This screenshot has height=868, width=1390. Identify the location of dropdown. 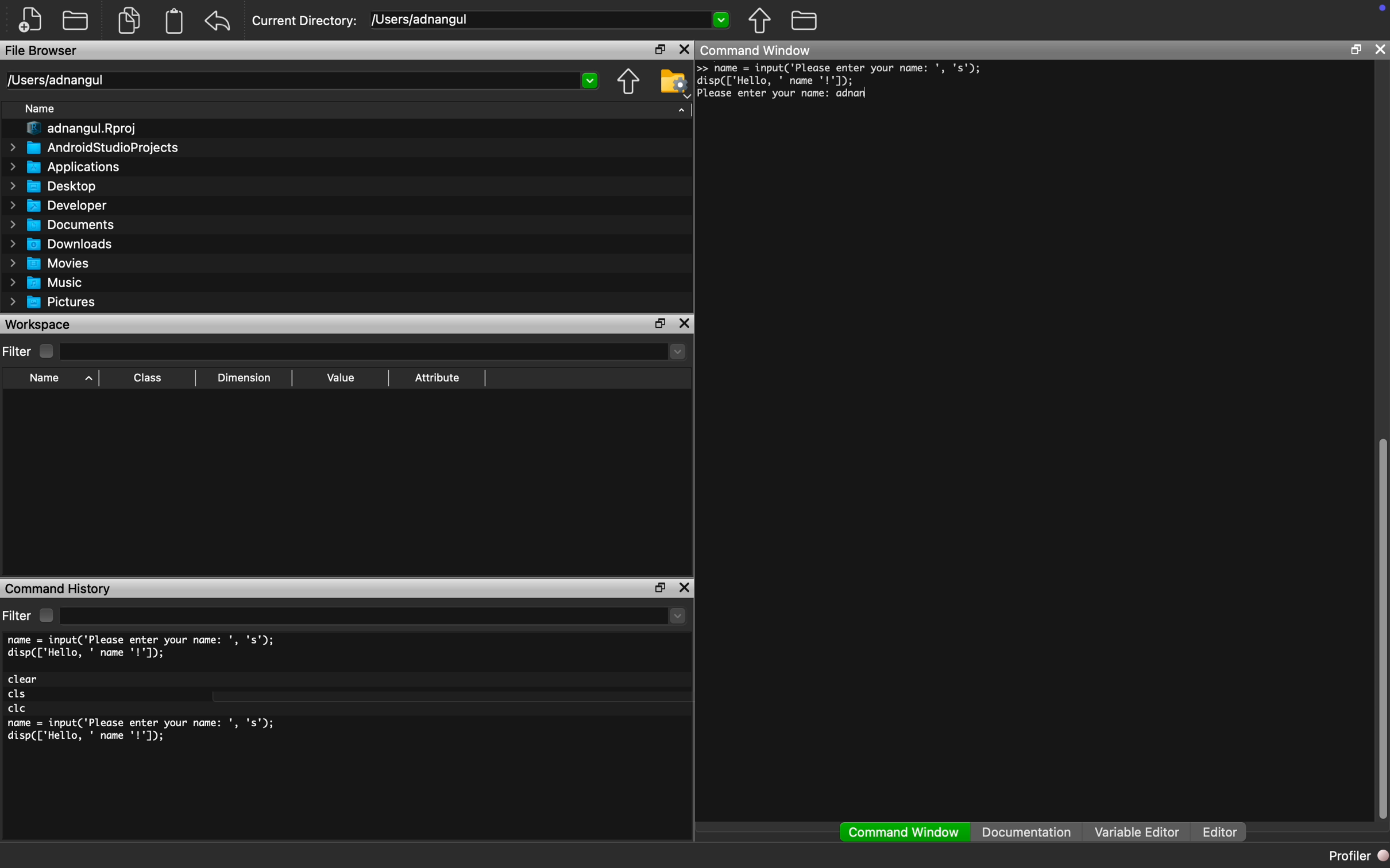
(591, 81).